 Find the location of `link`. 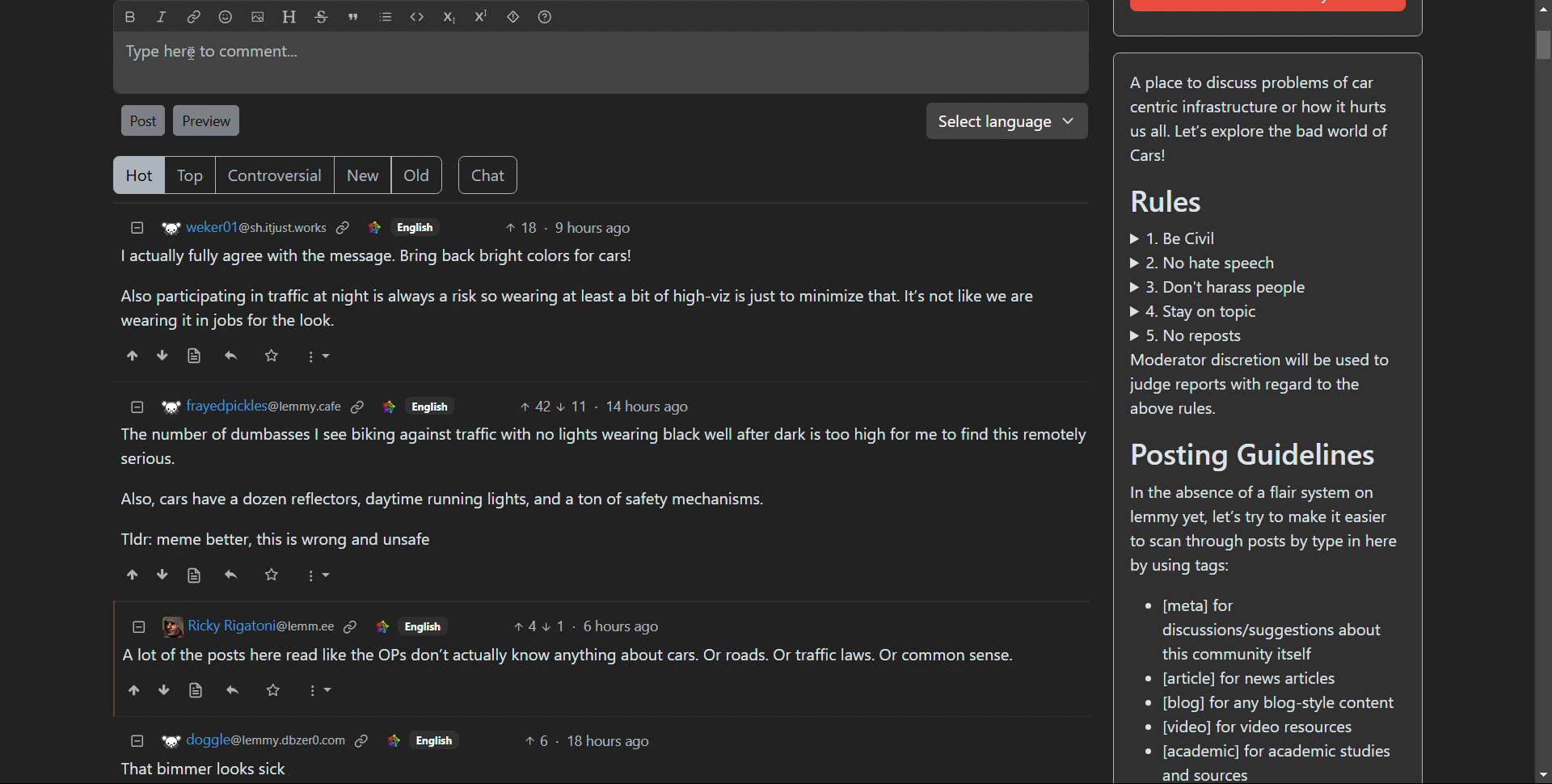

link is located at coordinates (363, 739).